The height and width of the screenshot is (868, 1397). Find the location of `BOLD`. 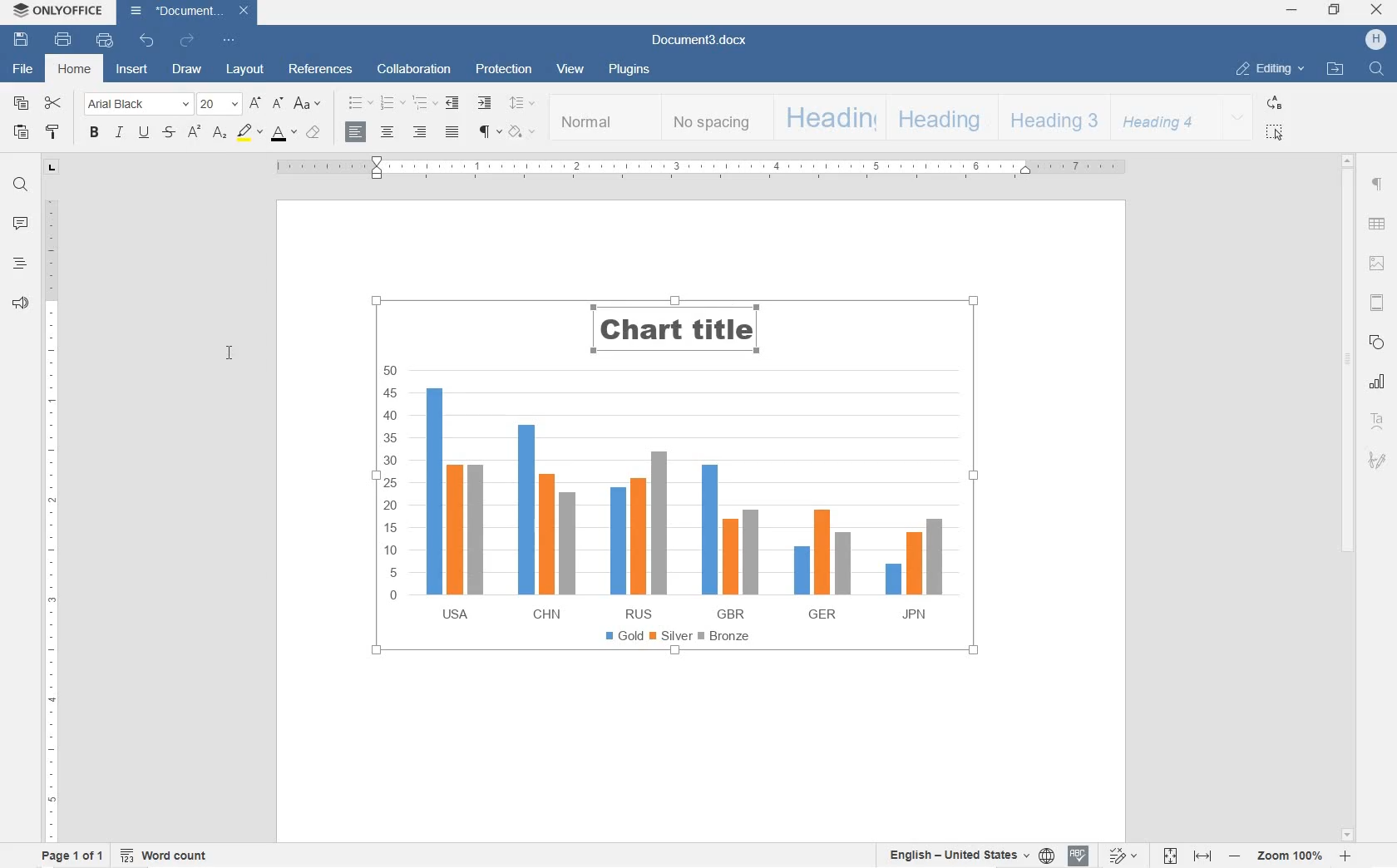

BOLD is located at coordinates (94, 133).